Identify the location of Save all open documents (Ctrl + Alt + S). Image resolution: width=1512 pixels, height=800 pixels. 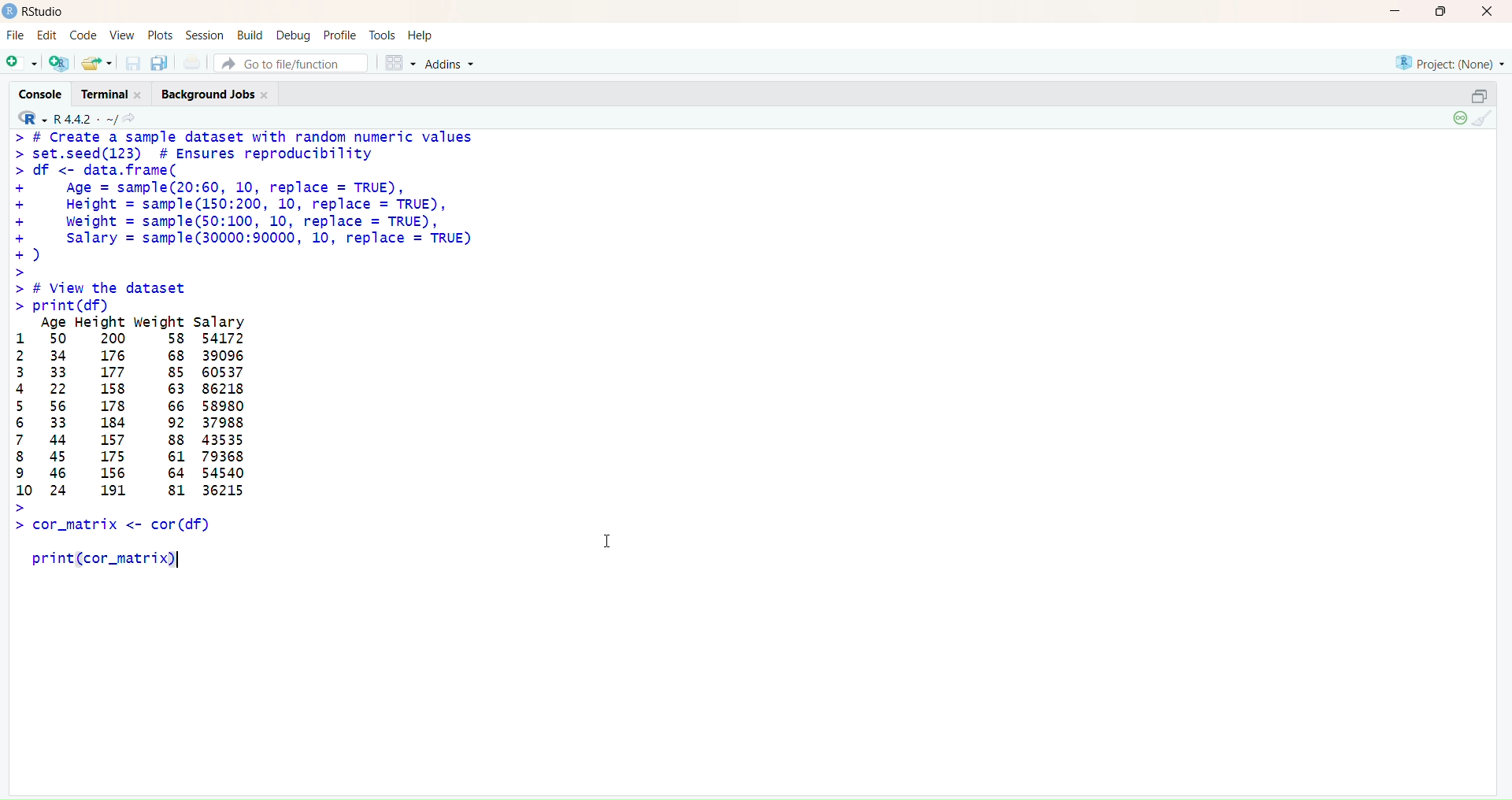
(160, 61).